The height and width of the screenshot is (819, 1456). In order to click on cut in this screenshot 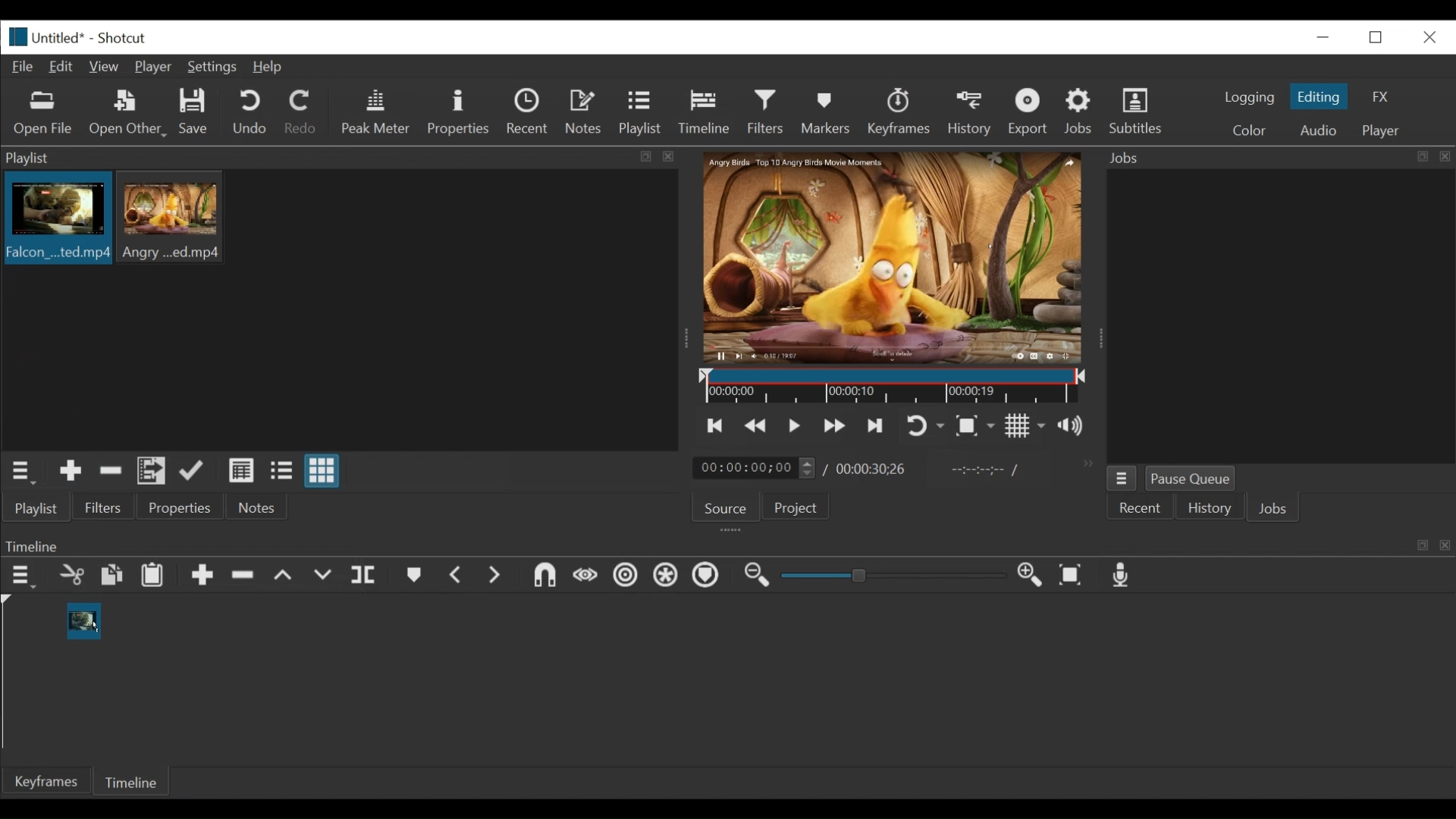, I will do `click(71, 576)`.